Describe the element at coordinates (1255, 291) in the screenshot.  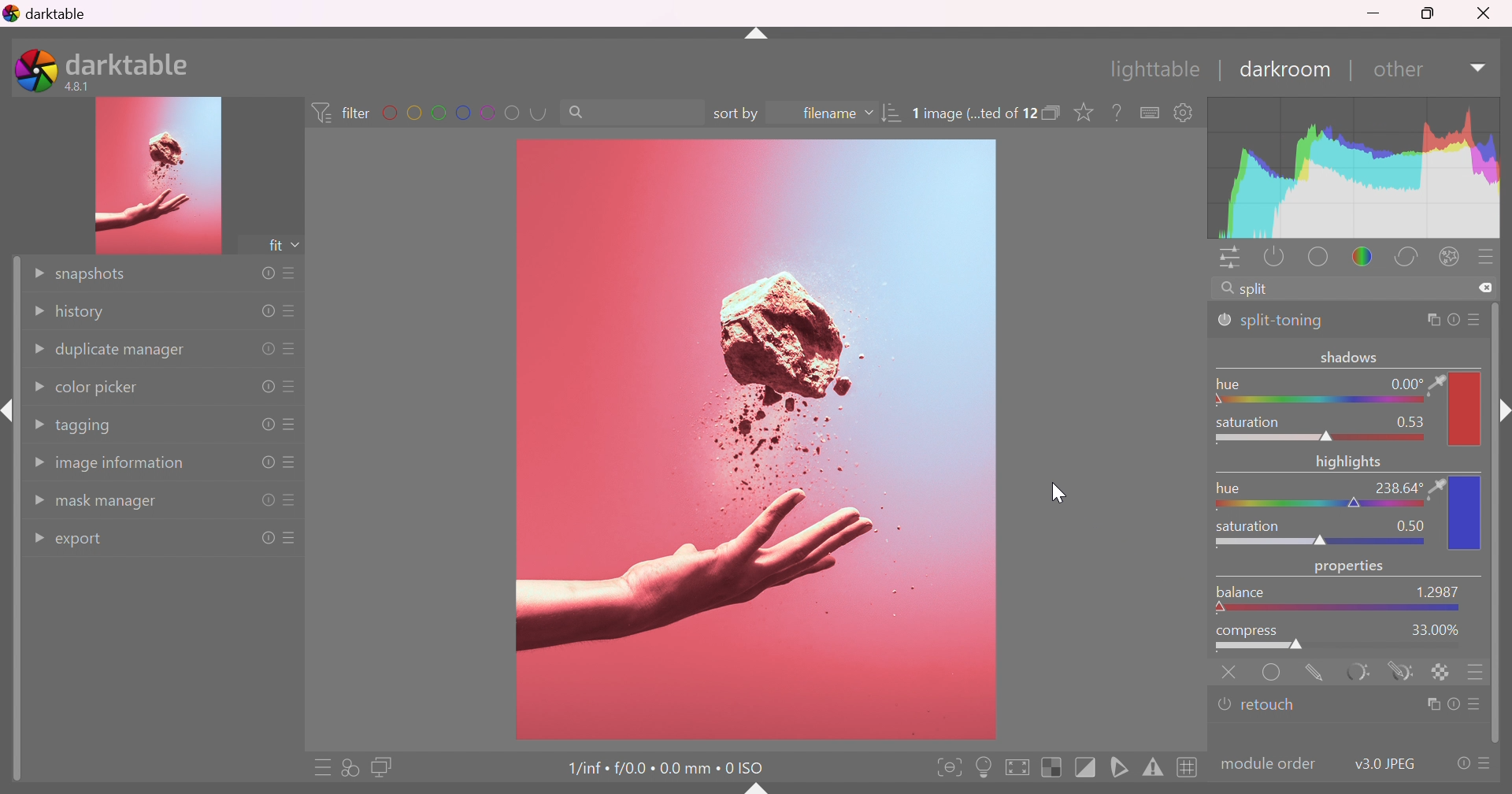
I see `split` at that location.